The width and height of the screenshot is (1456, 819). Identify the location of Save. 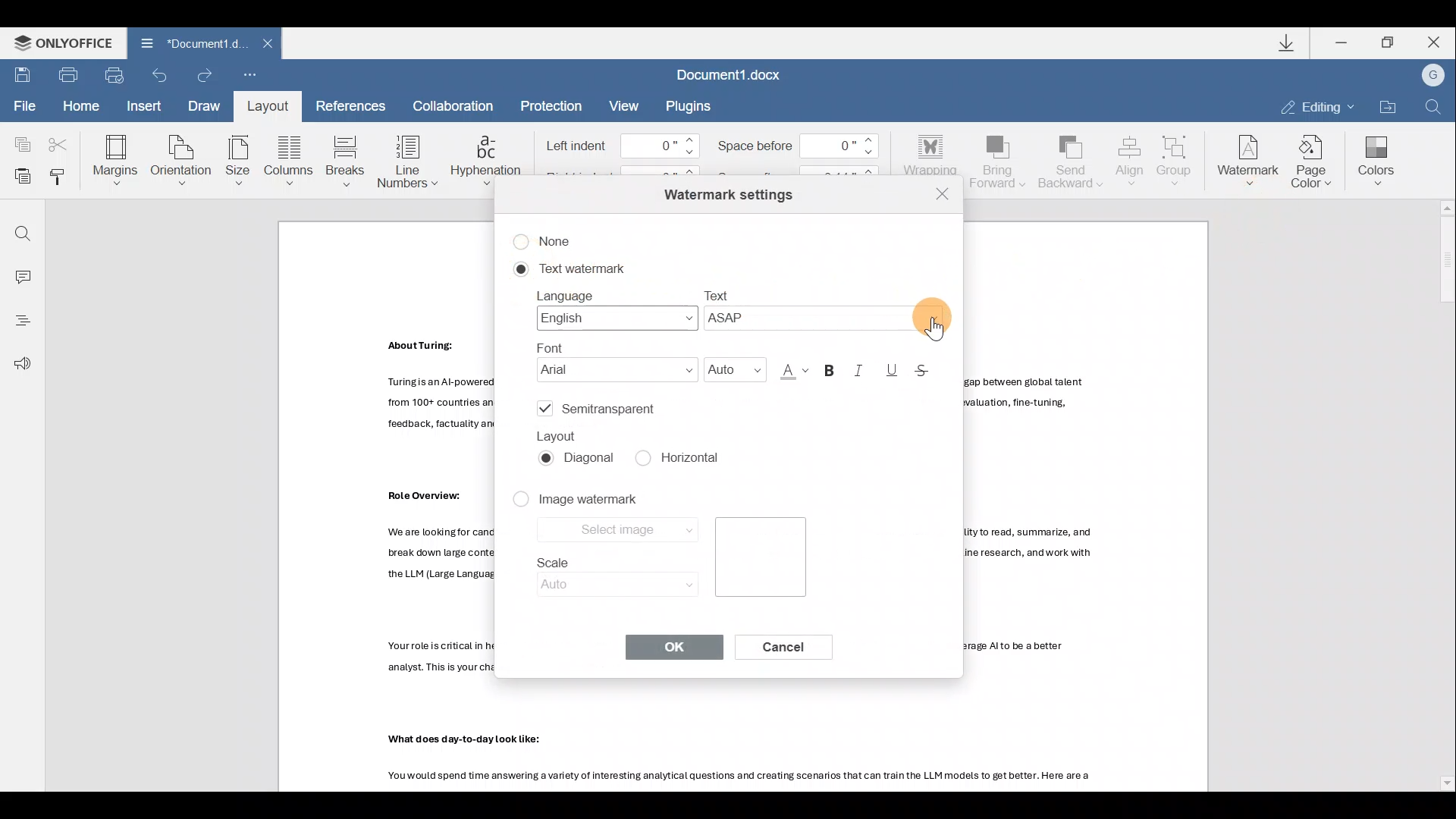
(20, 76).